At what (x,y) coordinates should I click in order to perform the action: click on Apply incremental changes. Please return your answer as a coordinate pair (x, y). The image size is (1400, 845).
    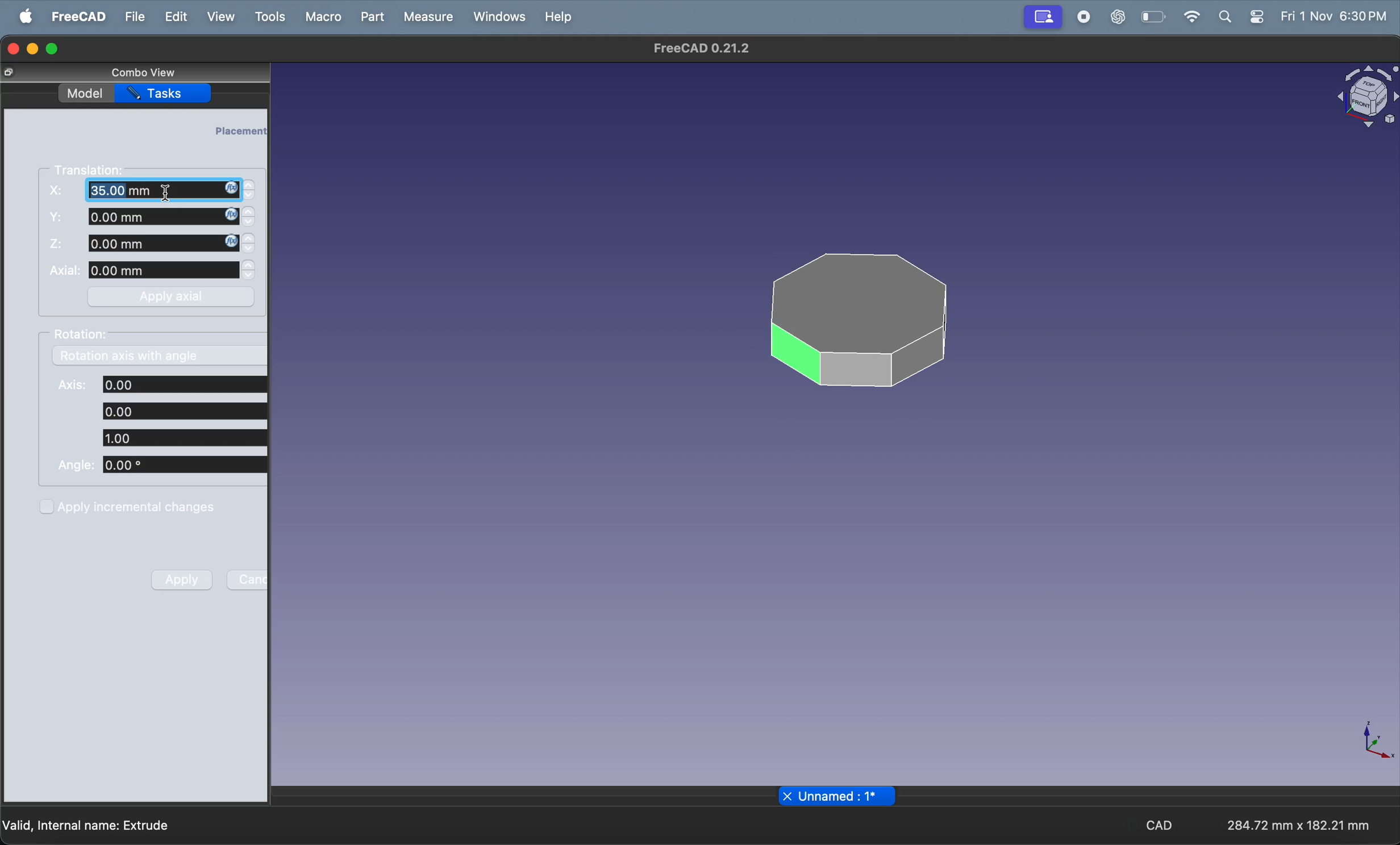
    Looking at the image, I should click on (129, 506).